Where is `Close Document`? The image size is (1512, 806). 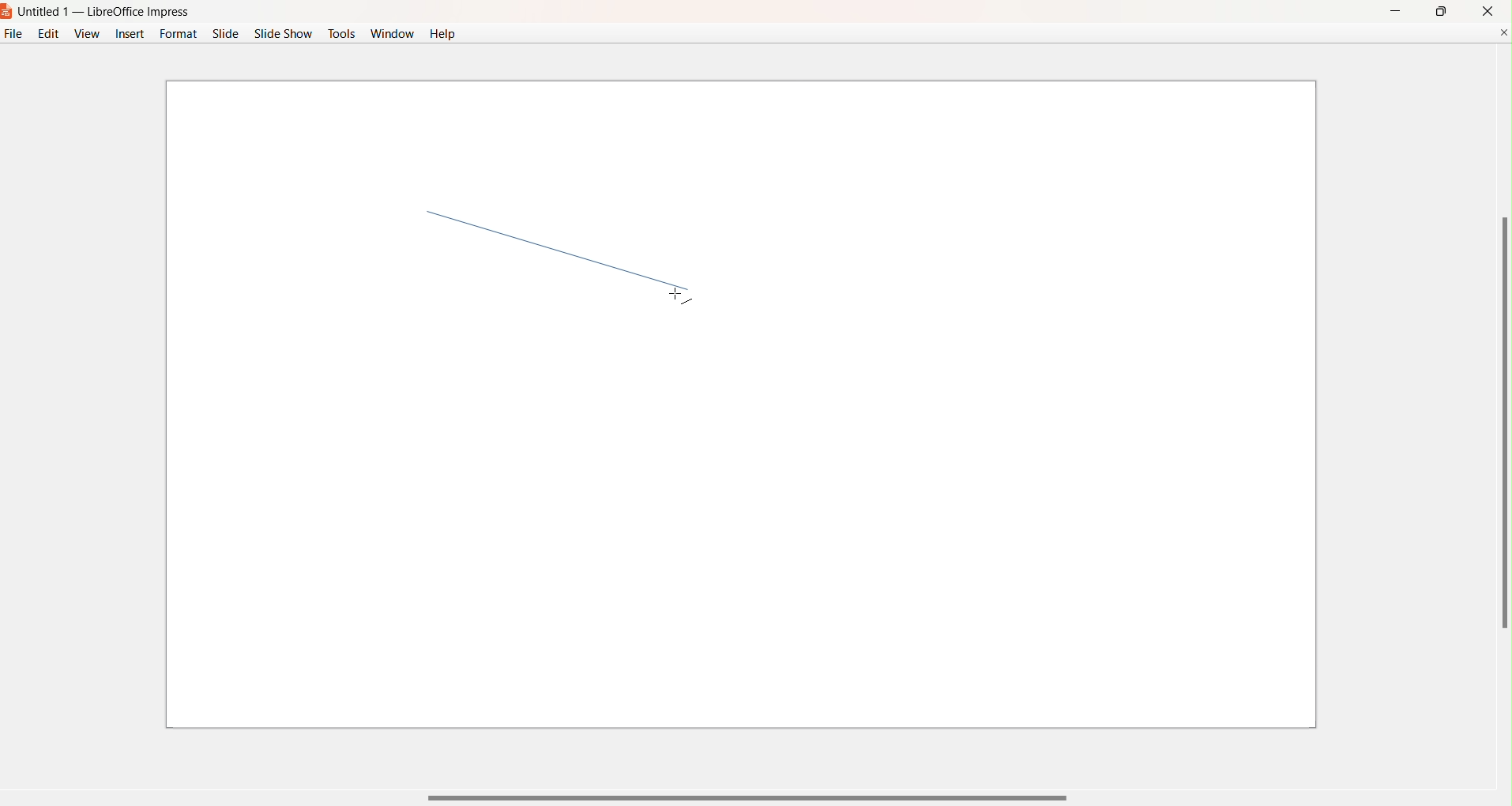 Close Document is located at coordinates (1503, 32).